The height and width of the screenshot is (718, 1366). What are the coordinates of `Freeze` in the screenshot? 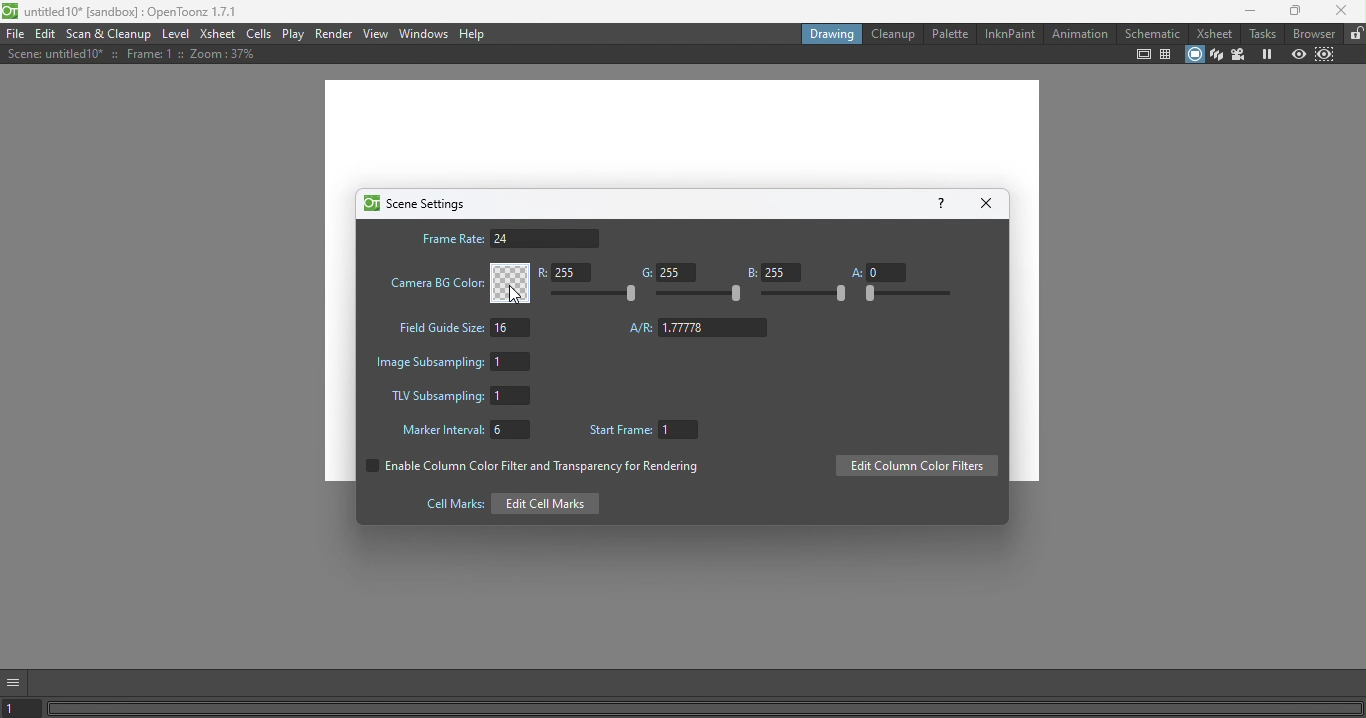 It's located at (1267, 55).